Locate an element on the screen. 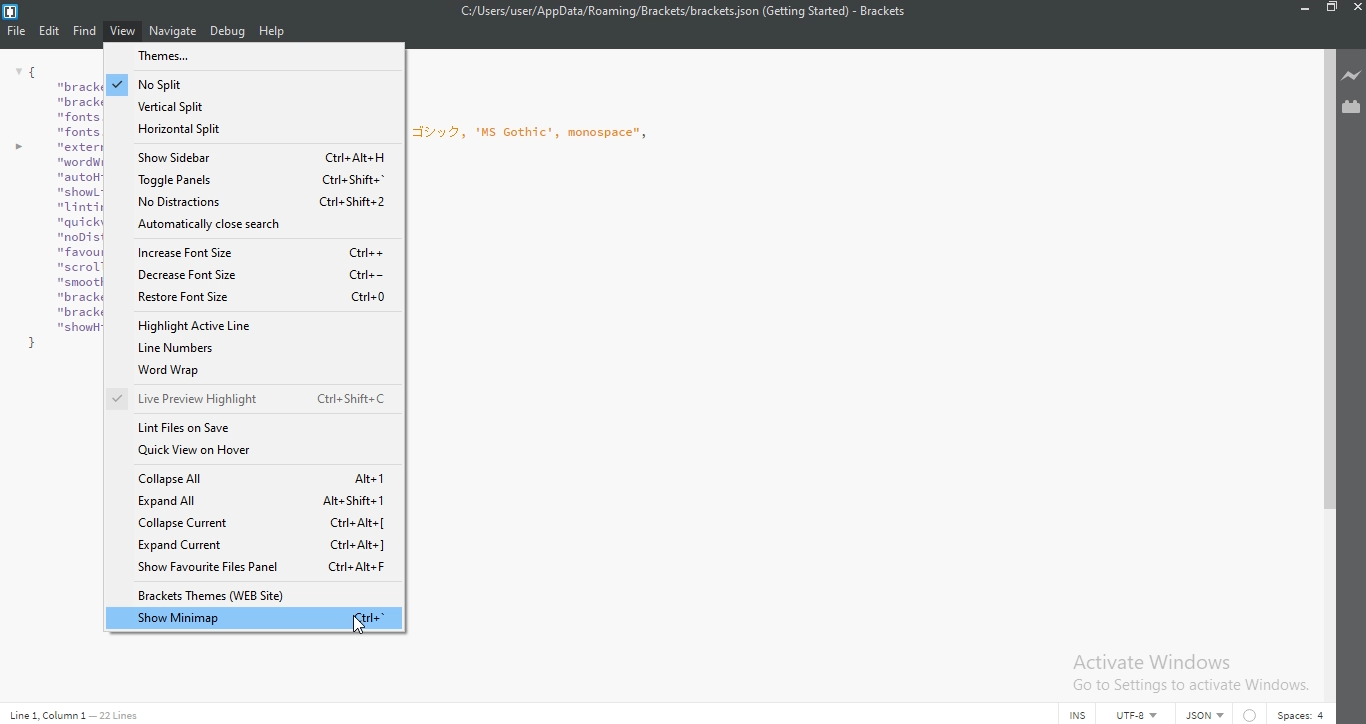 The width and height of the screenshot is (1366, 724). live preview highlight is located at coordinates (250, 399).